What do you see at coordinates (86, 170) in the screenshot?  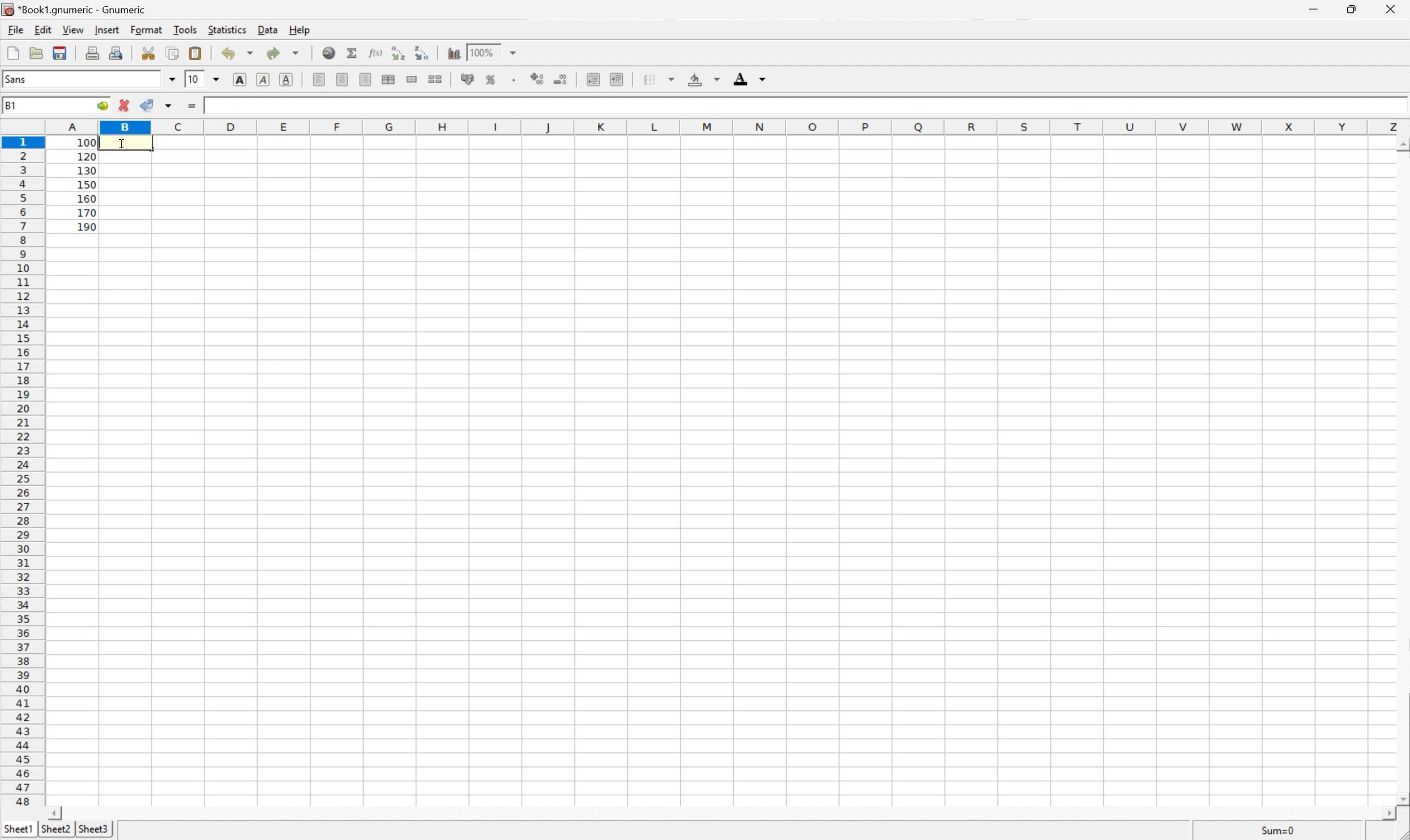 I see `130` at bounding box center [86, 170].